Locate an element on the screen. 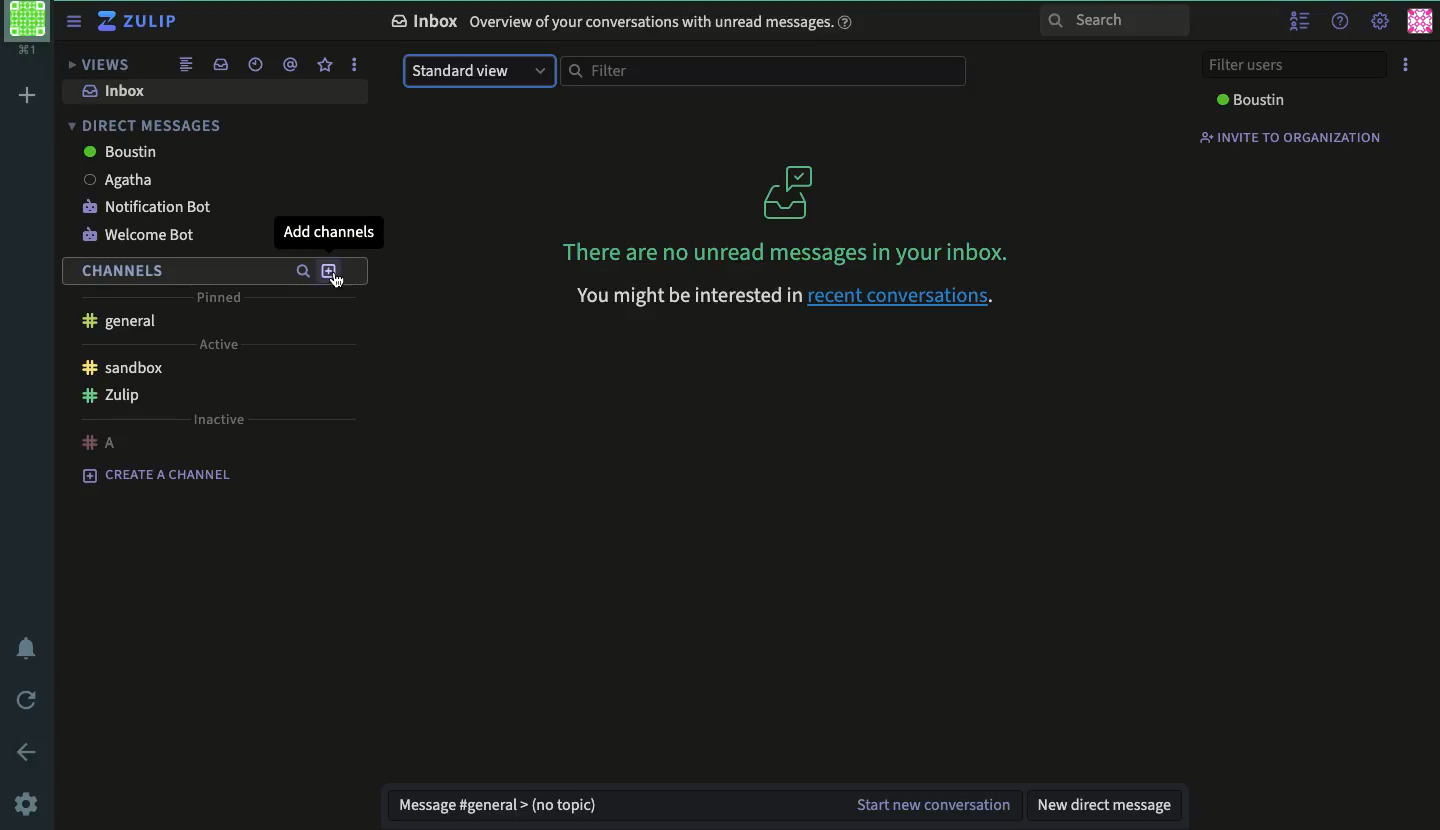 This screenshot has height=830, width=1440.  Inbox Overview of your conversations with unread messages.  is located at coordinates (621, 24).